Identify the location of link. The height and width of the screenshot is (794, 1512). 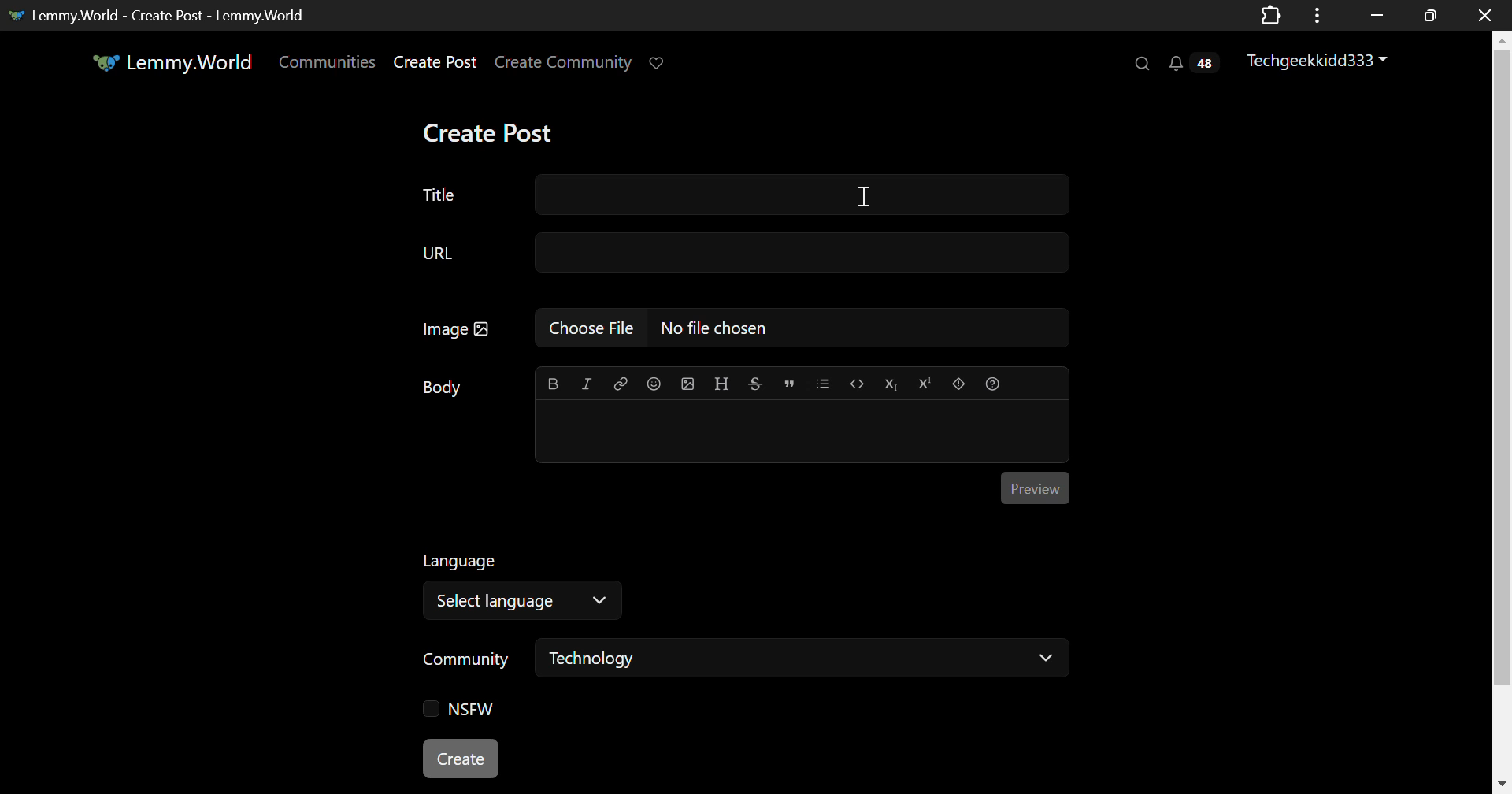
(620, 384).